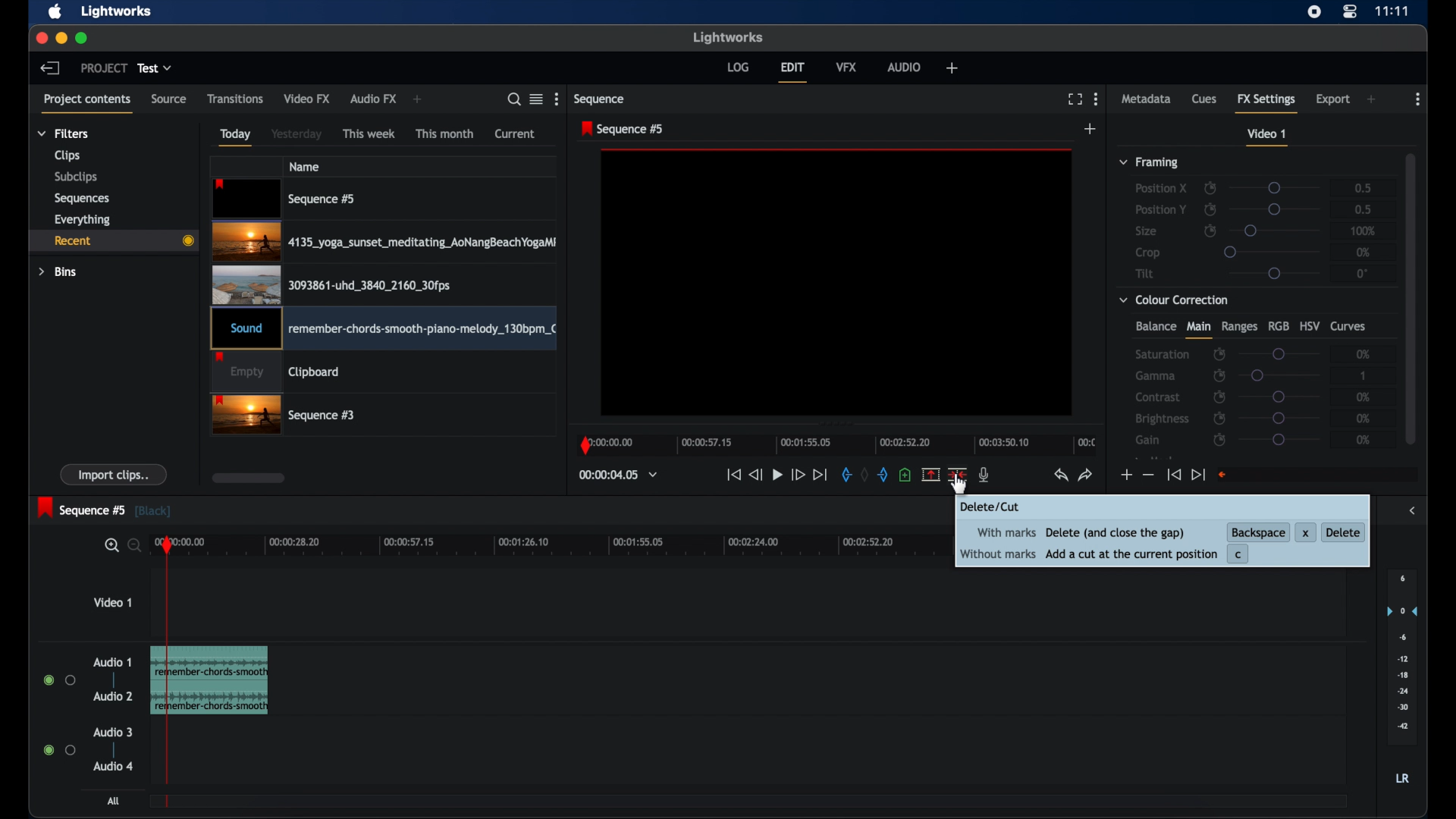 The width and height of the screenshot is (1456, 819). I want to click on 0%, so click(1364, 440).